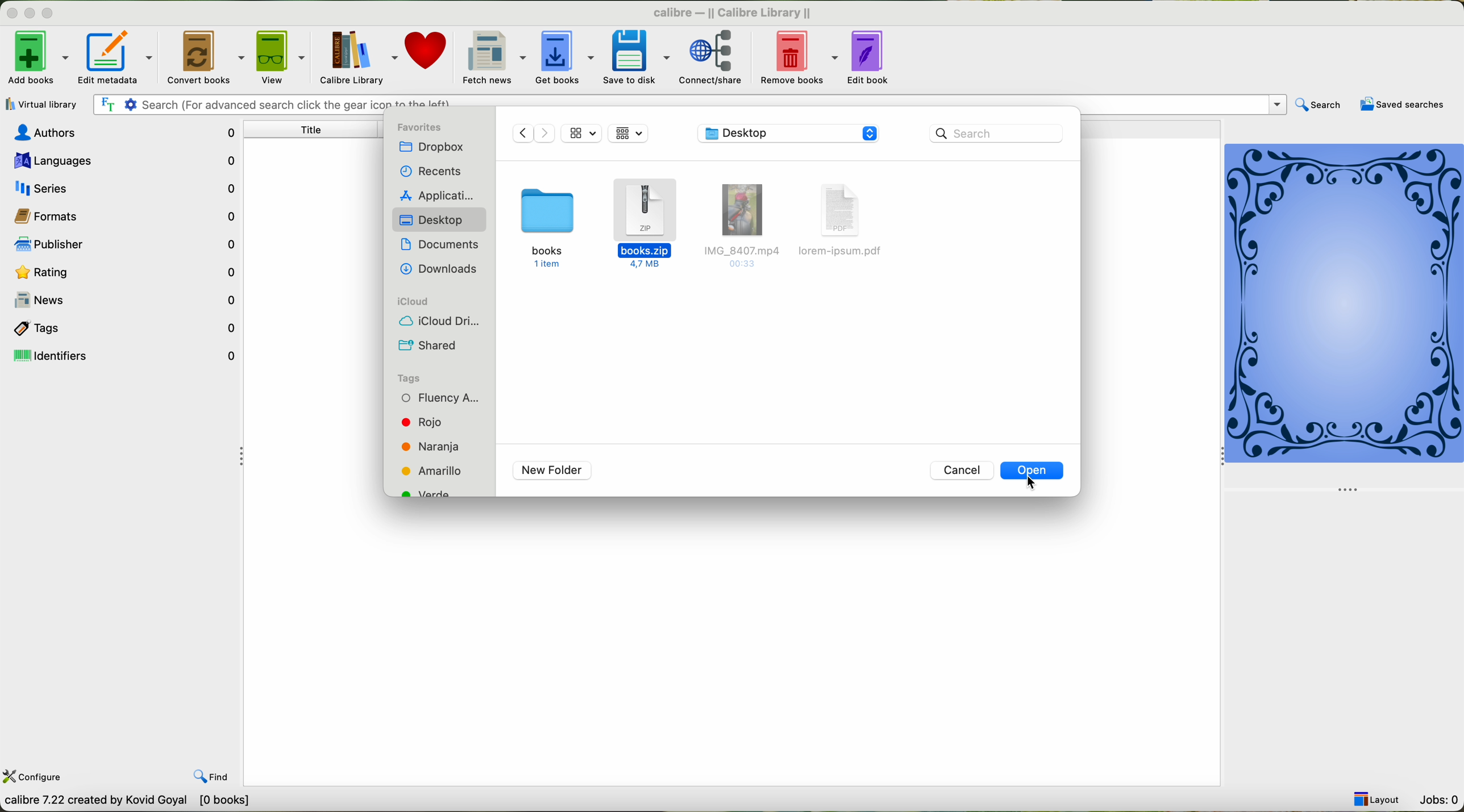  Describe the element at coordinates (123, 327) in the screenshot. I see `tags` at that location.